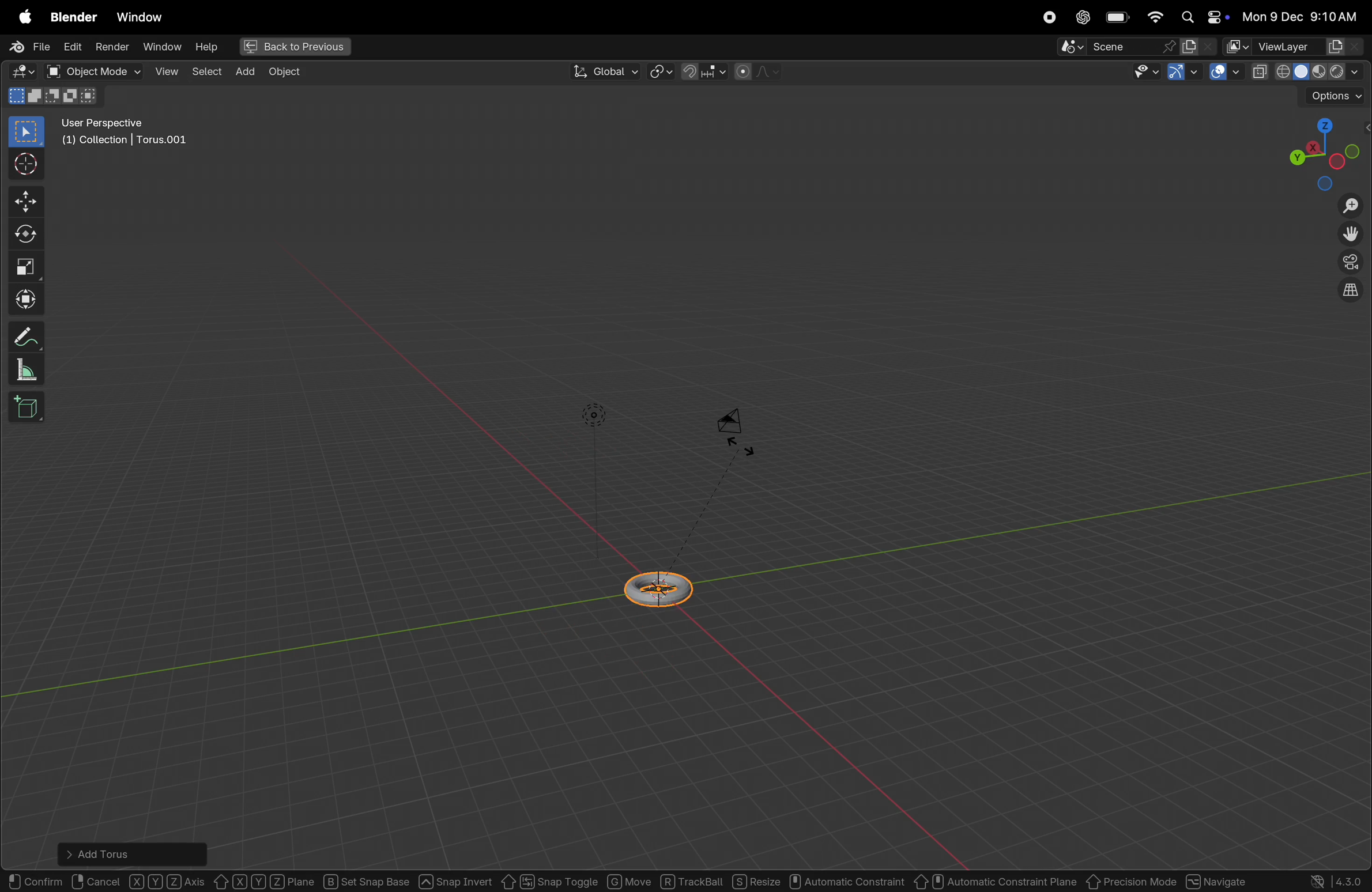 This screenshot has width=1372, height=892. I want to click on lights, so click(594, 415).